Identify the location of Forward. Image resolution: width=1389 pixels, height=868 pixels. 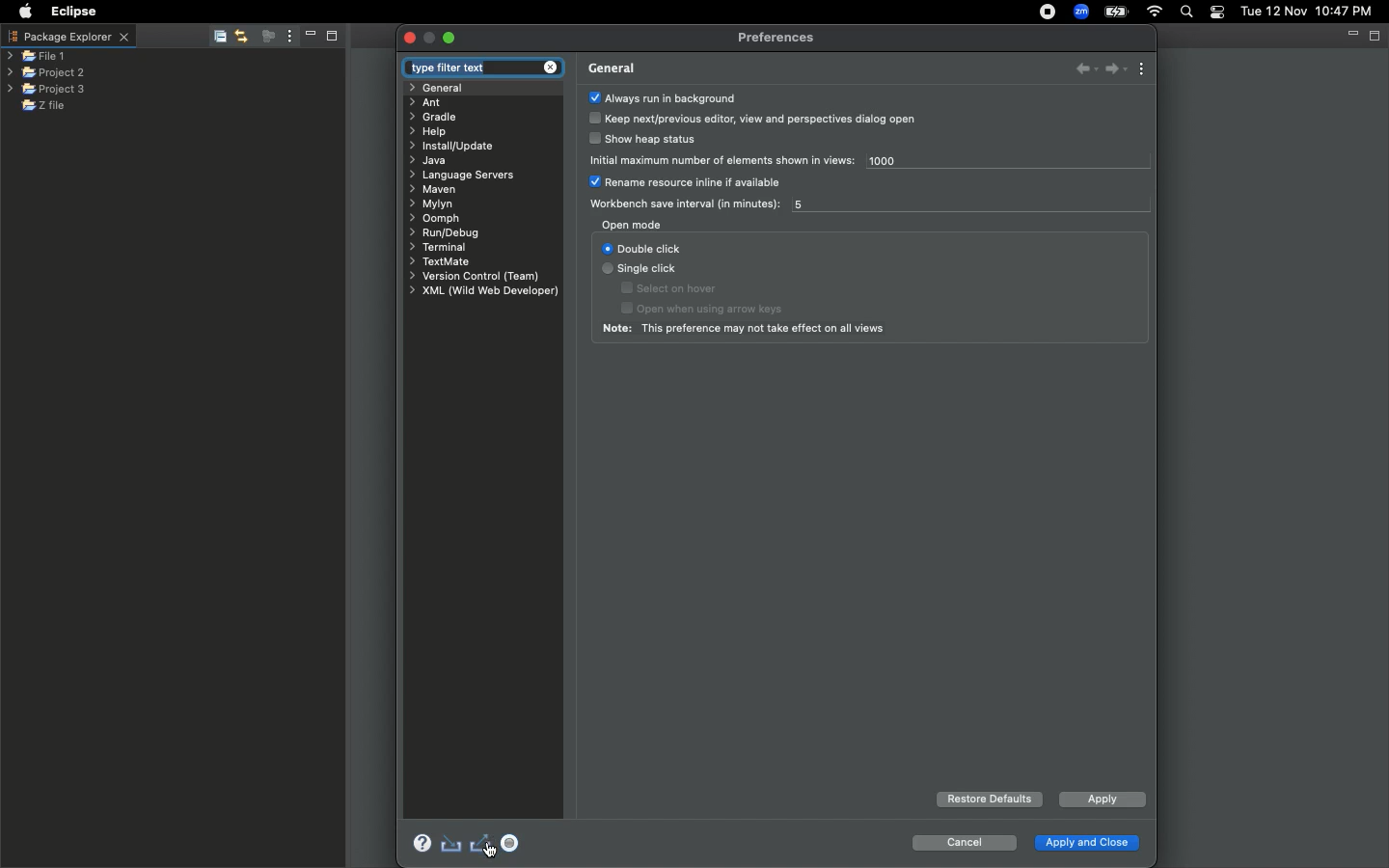
(1114, 69).